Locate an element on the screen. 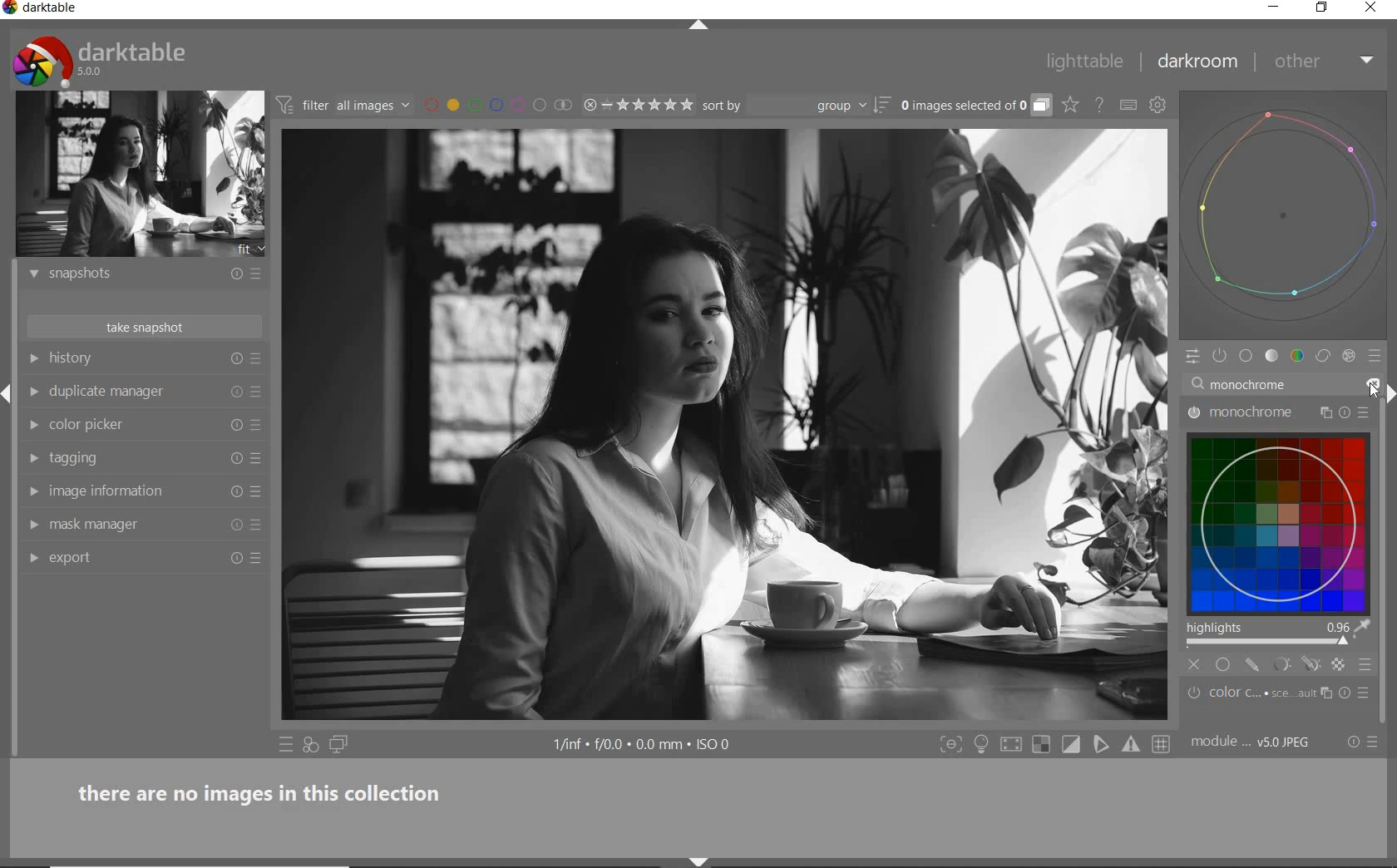 The image size is (1397, 868). module...V5.0 JPEG is located at coordinates (1251, 742).